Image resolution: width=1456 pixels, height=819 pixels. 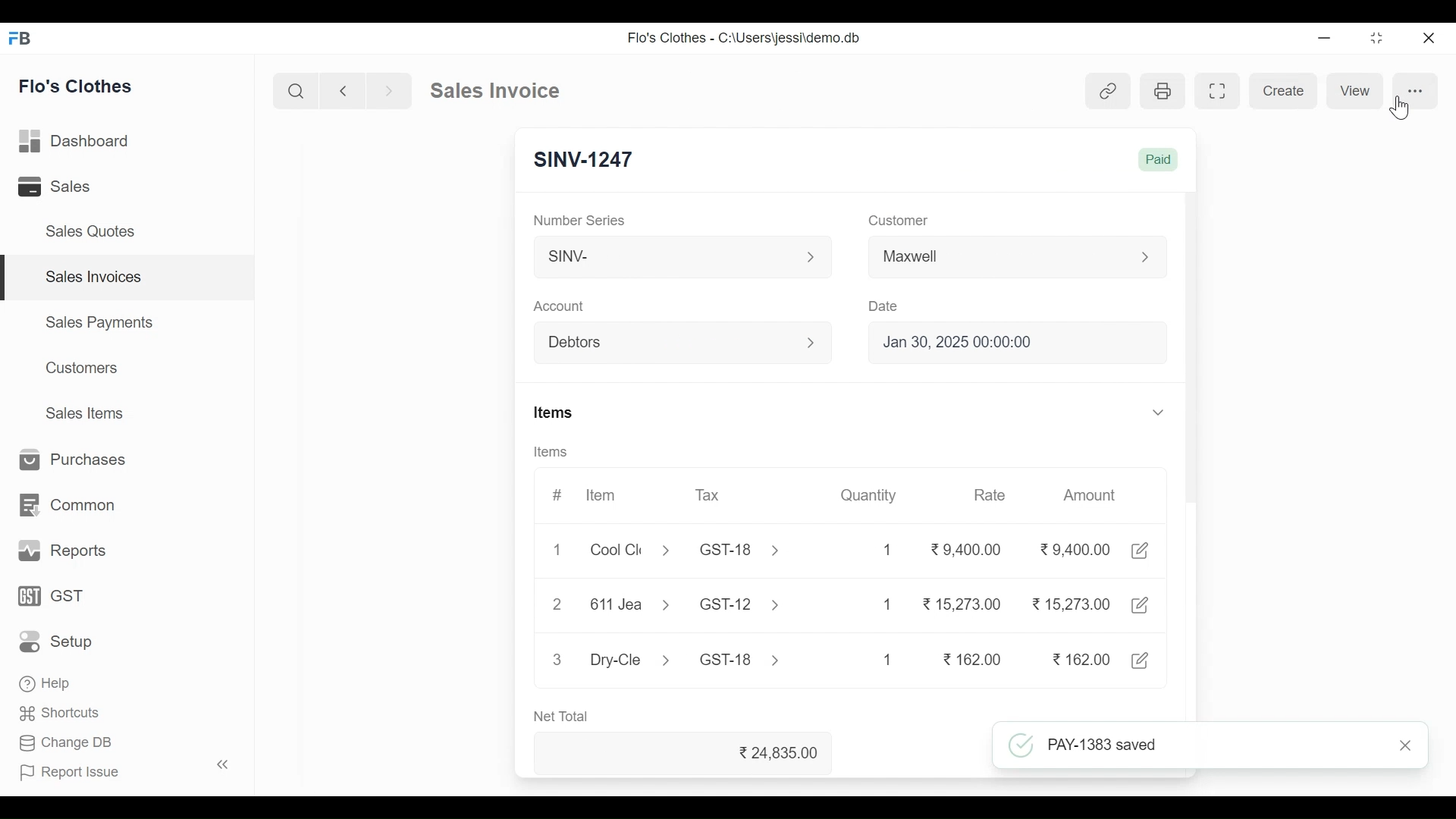 What do you see at coordinates (549, 451) in the screenshot?
I see `Items` at bounding box center [549, 451].